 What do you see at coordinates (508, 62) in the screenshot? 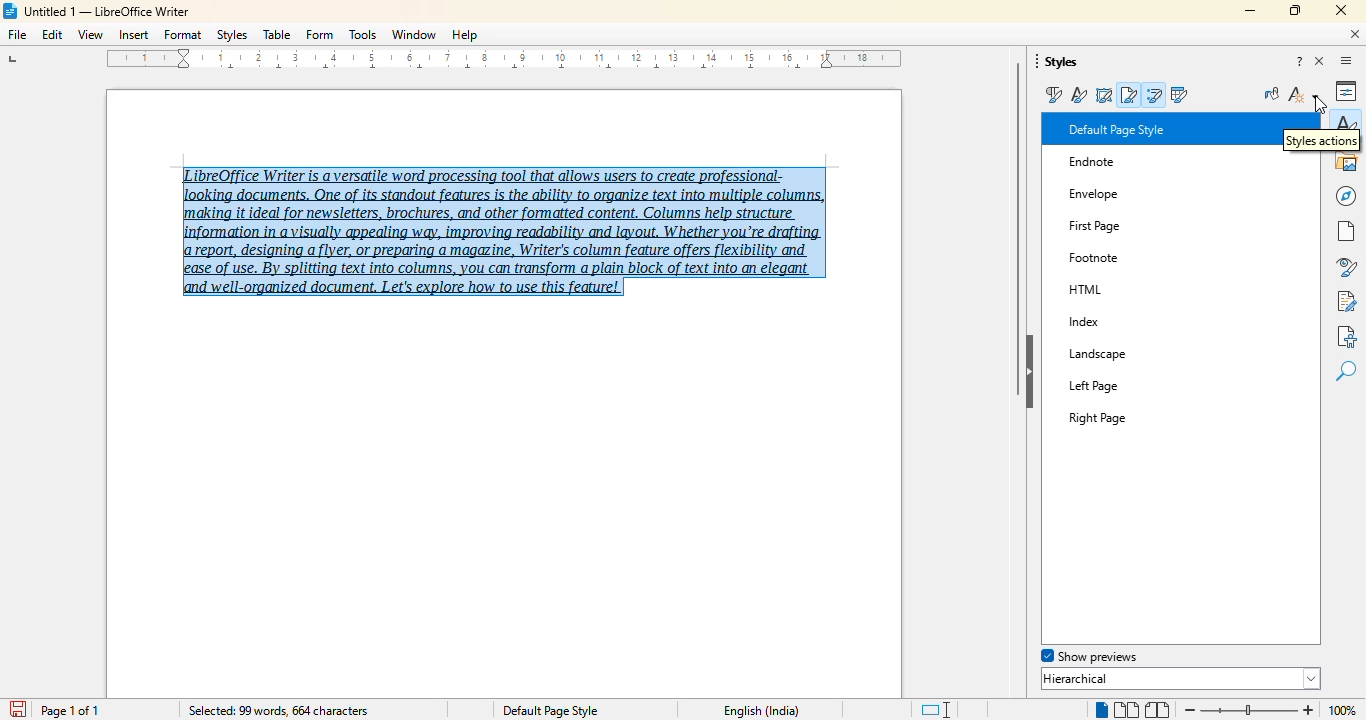
I see `ruler` at bounding box center [508, 62].